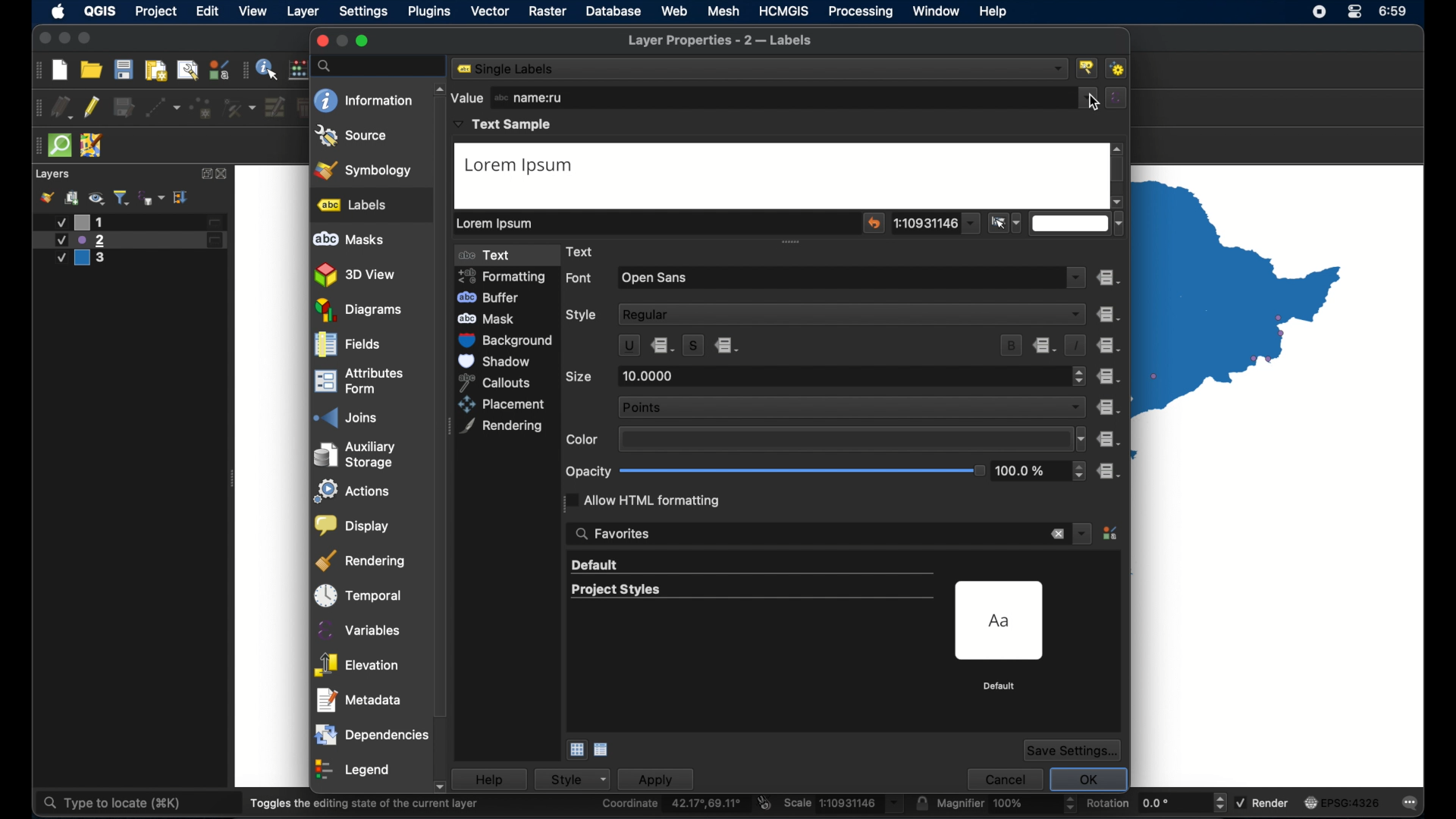 The height and width of the screenshot is (819, 1456). What do you see at coordinates (596, 566) in the screenshot?
I see `default` at bounding box center [596, 566].